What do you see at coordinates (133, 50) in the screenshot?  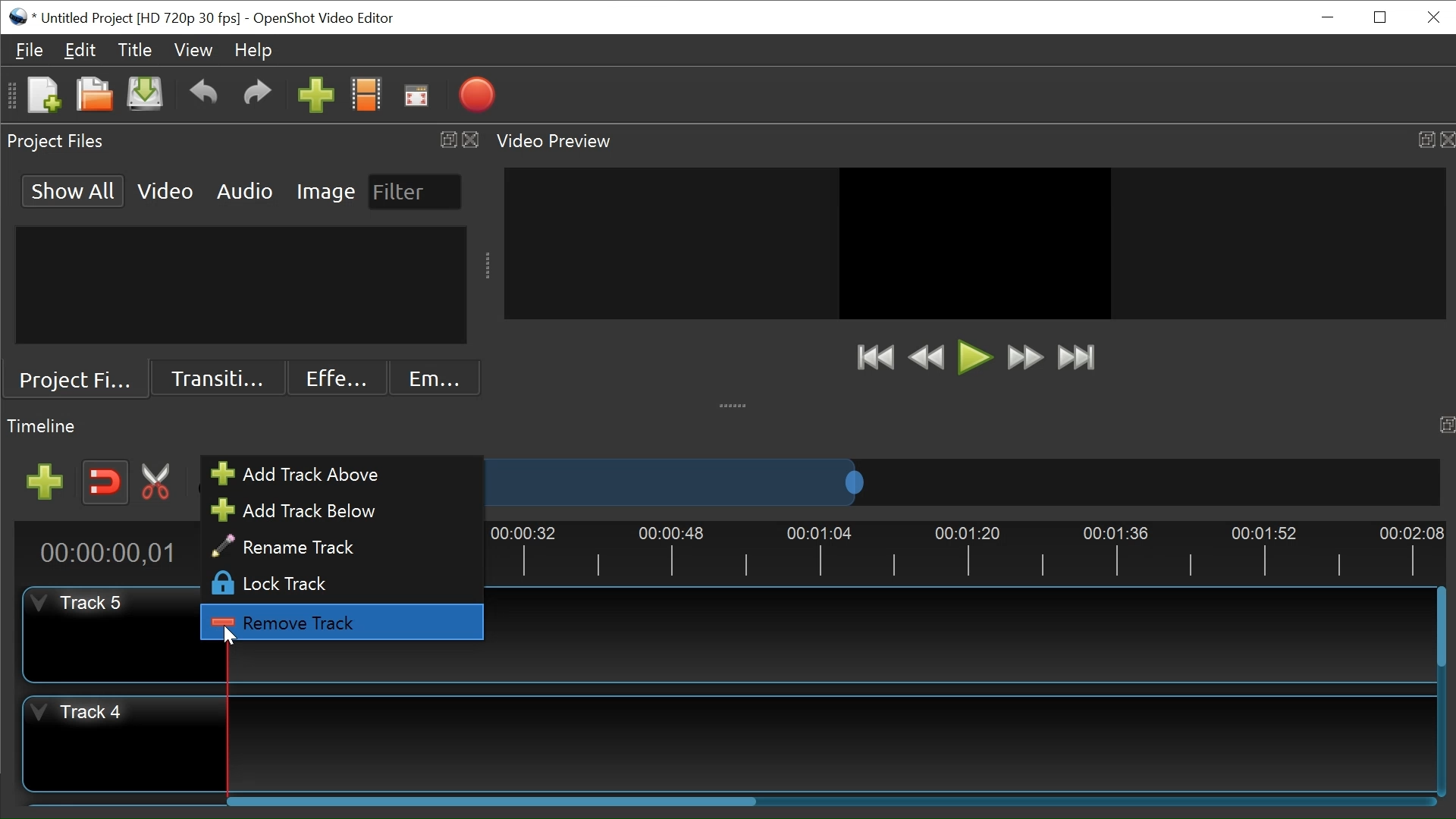 I see `Title` at bounding box center [133, 50].